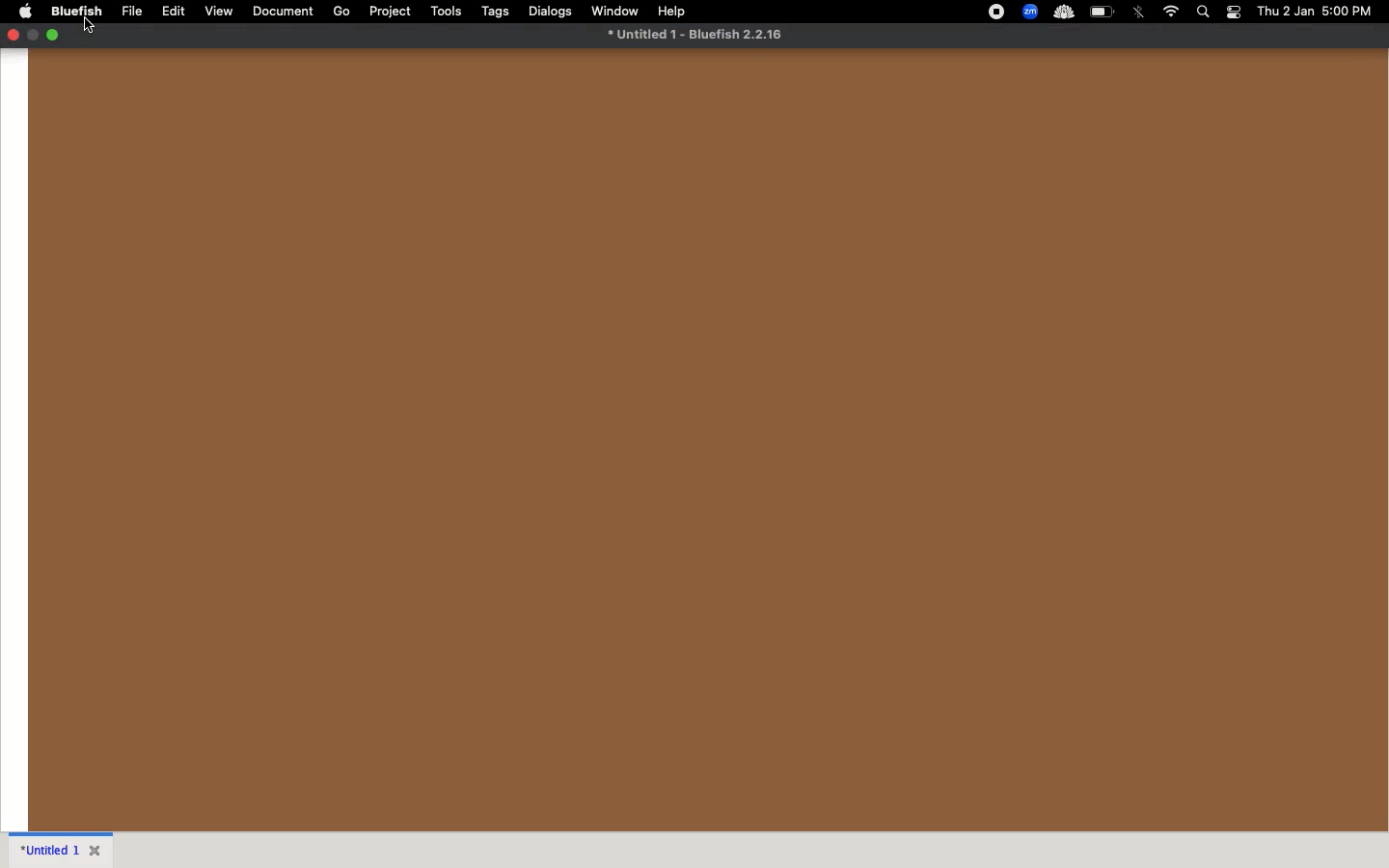  I want to click on document, so click(286, 13).